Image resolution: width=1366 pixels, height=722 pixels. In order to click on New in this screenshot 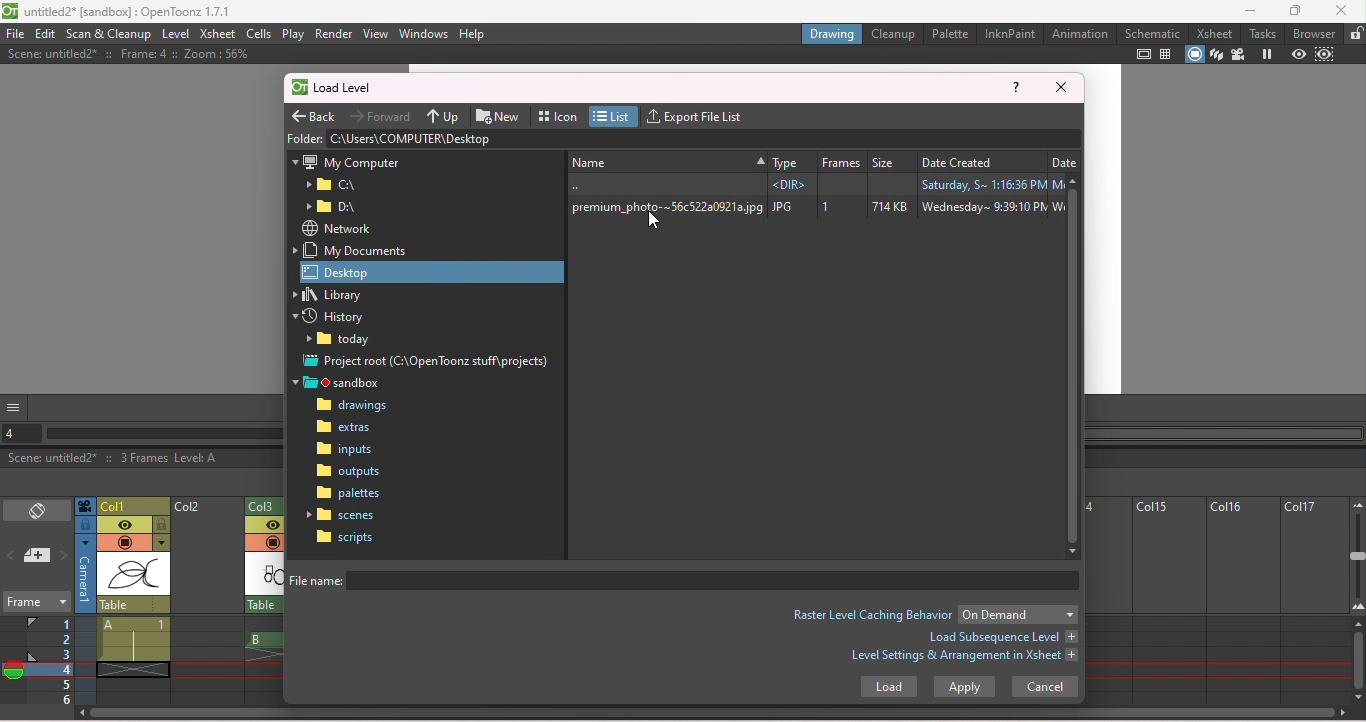, I will do `click(501, 114)`.